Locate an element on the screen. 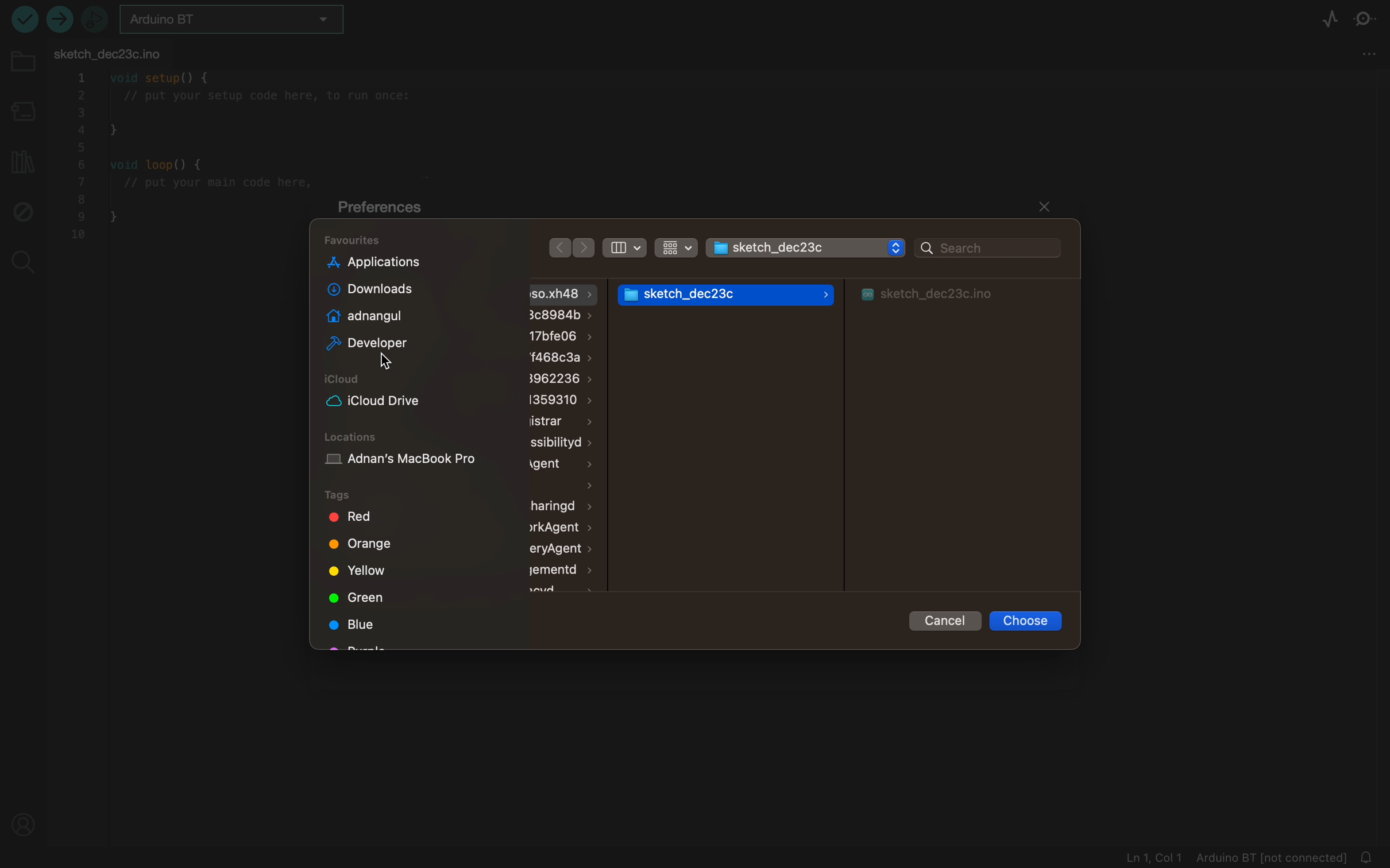 This screenshot has height=868, width=1390. choose is located at coordinates (1029, 622).